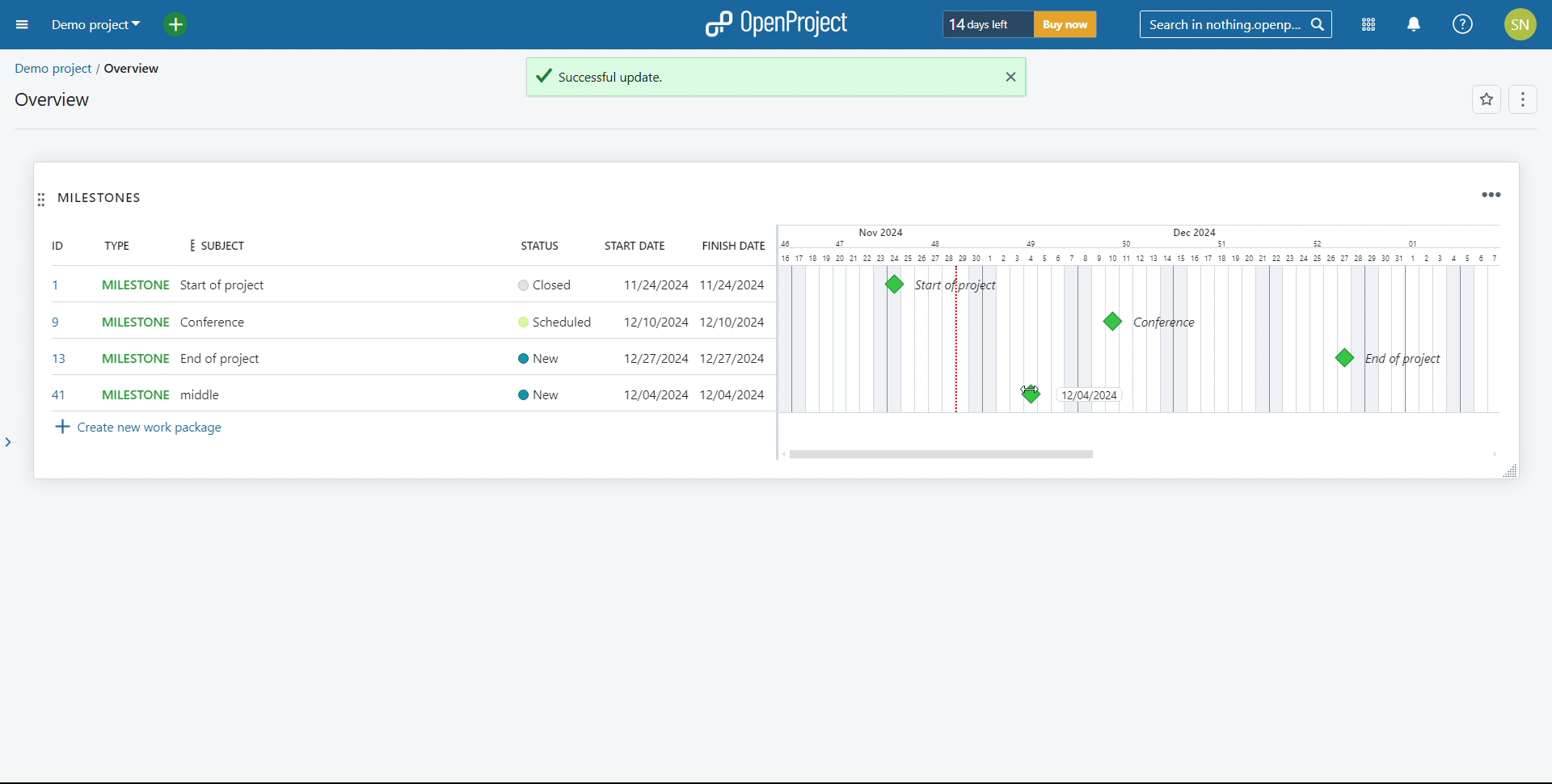 The image size is (1552, 784). What do you see at coordinates (133, 340) in the screenshot?
I see `set milestone` at bounding box center [133, 340].